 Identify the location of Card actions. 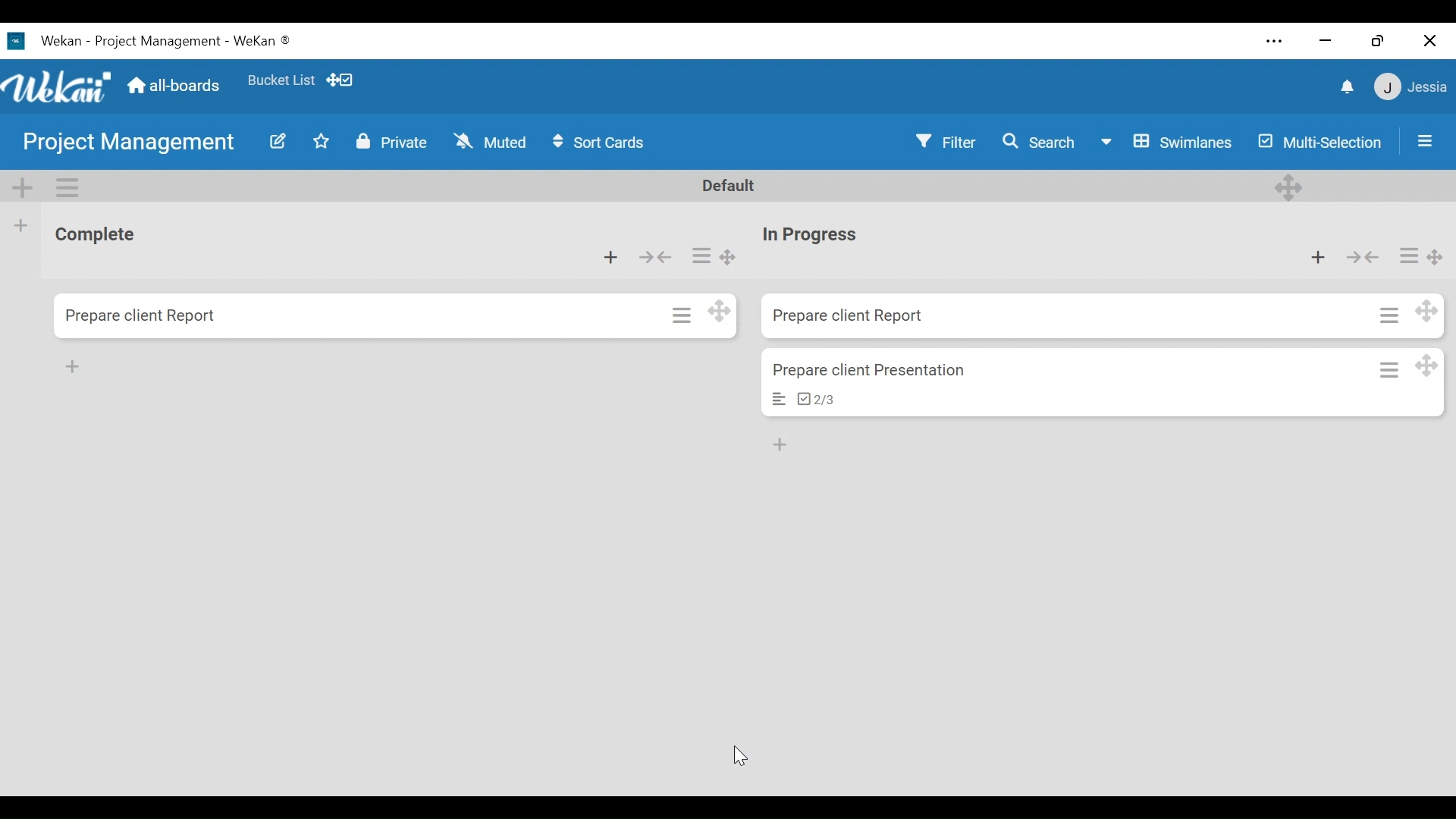
(680, 314).